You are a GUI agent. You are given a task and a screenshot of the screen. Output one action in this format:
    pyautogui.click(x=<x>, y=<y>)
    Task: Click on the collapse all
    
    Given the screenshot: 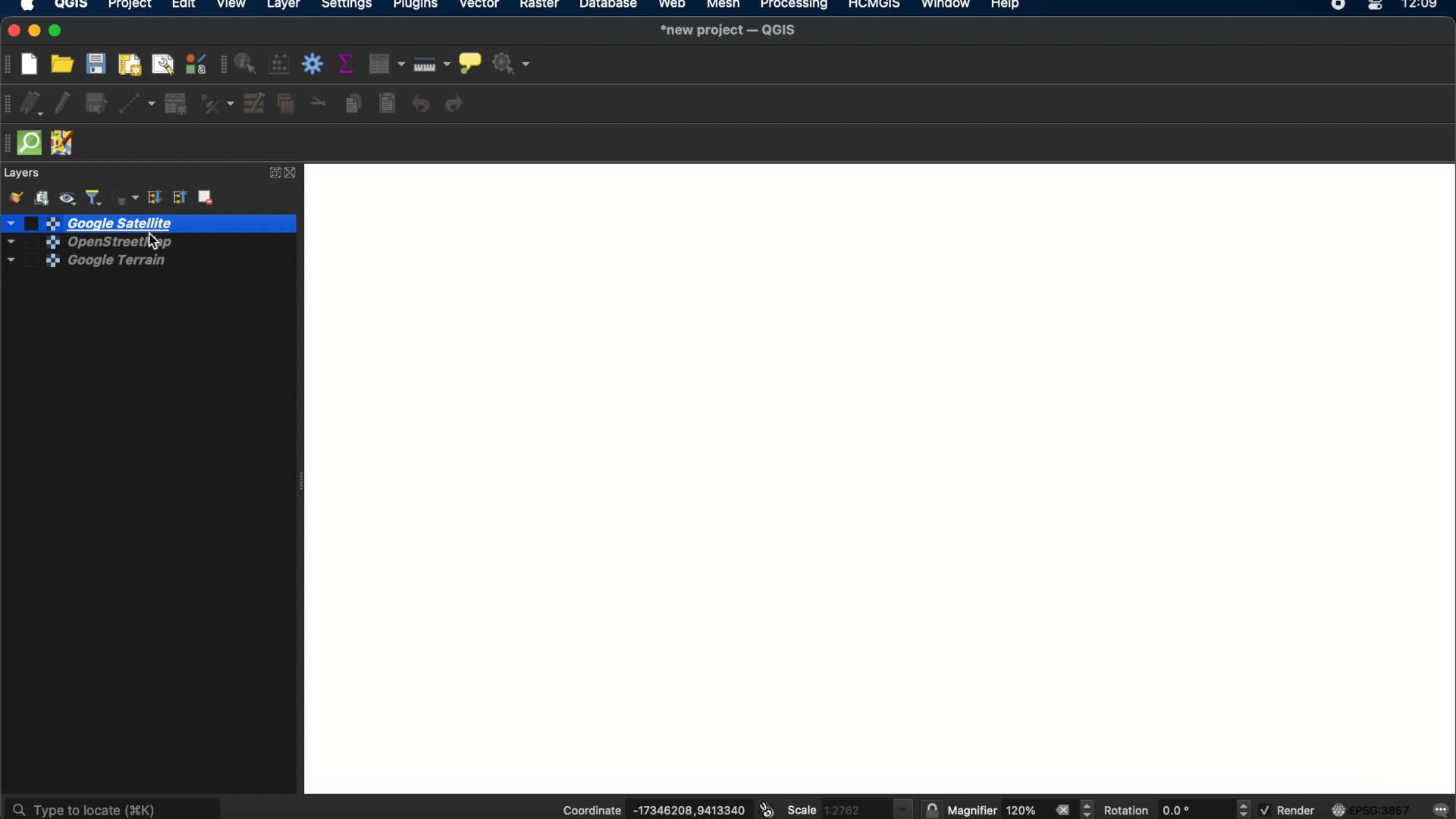 What is the action you would take?
    pyautogui.click(x=180, y=198)
    